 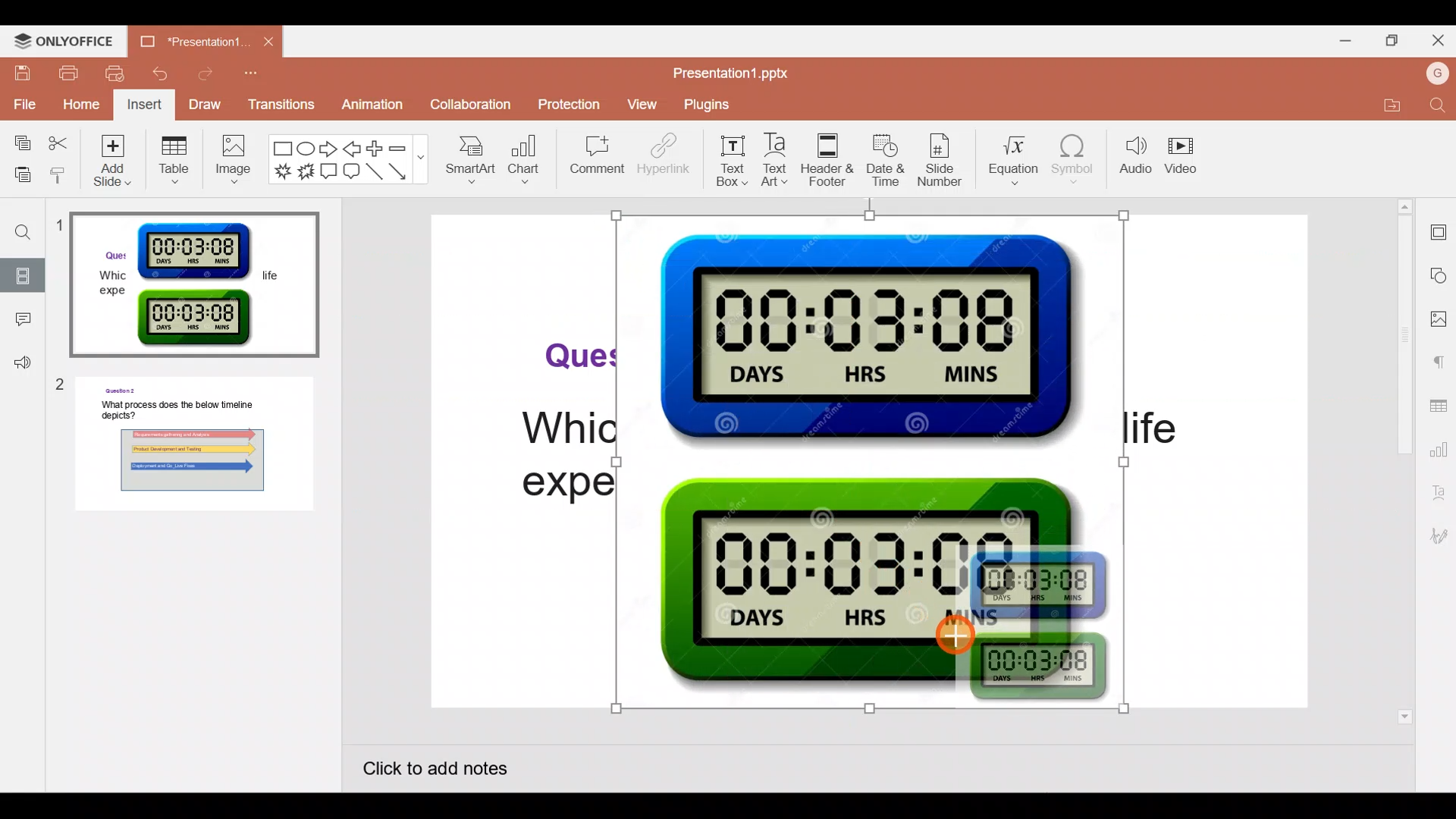 What do you see at coordinates (474, 160) in the screenshot?
I see `SmartArt` at bounding box center [474, 160].